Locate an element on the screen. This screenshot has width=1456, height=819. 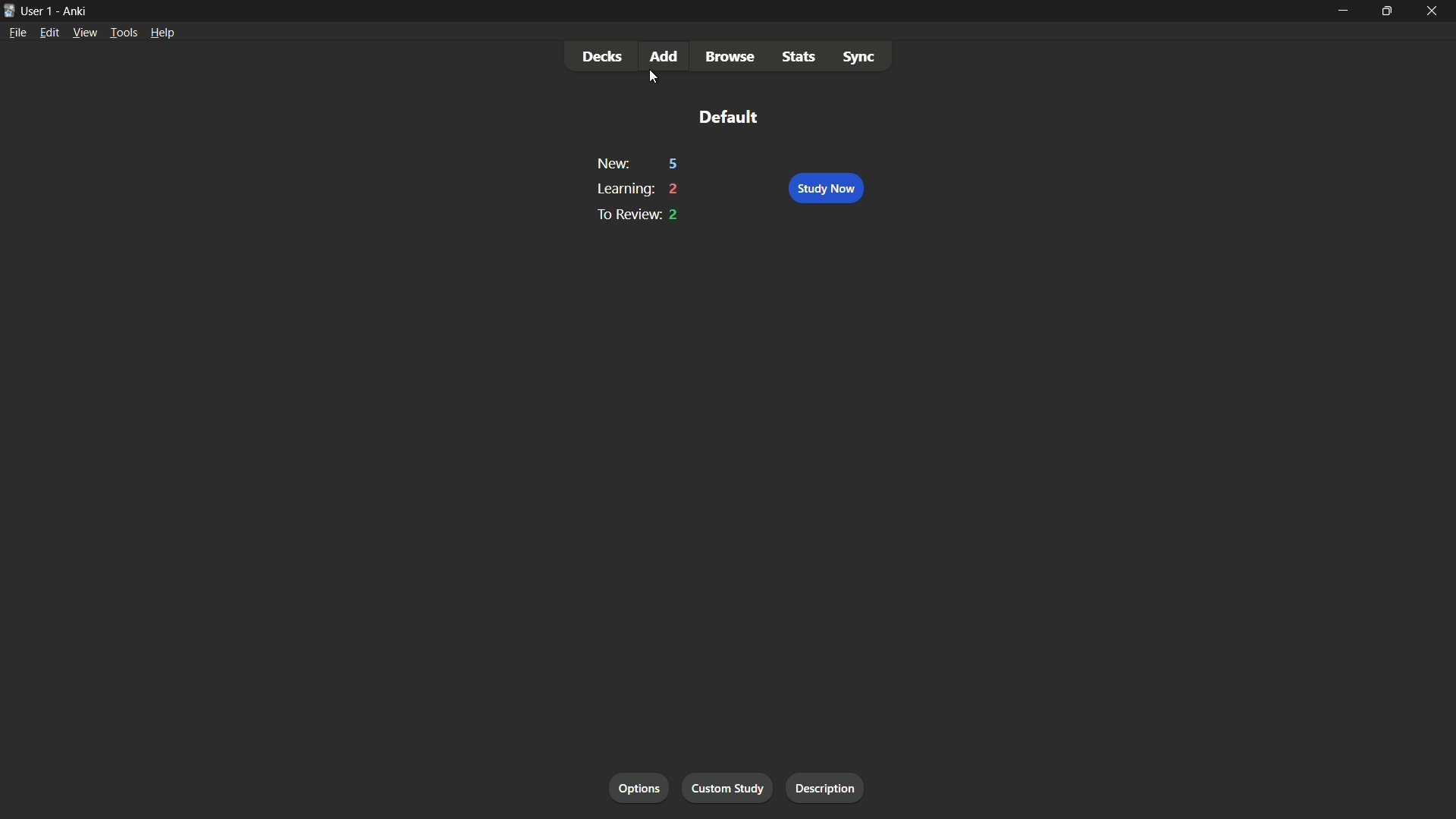
maximize is located at coordinates (1387, 11).